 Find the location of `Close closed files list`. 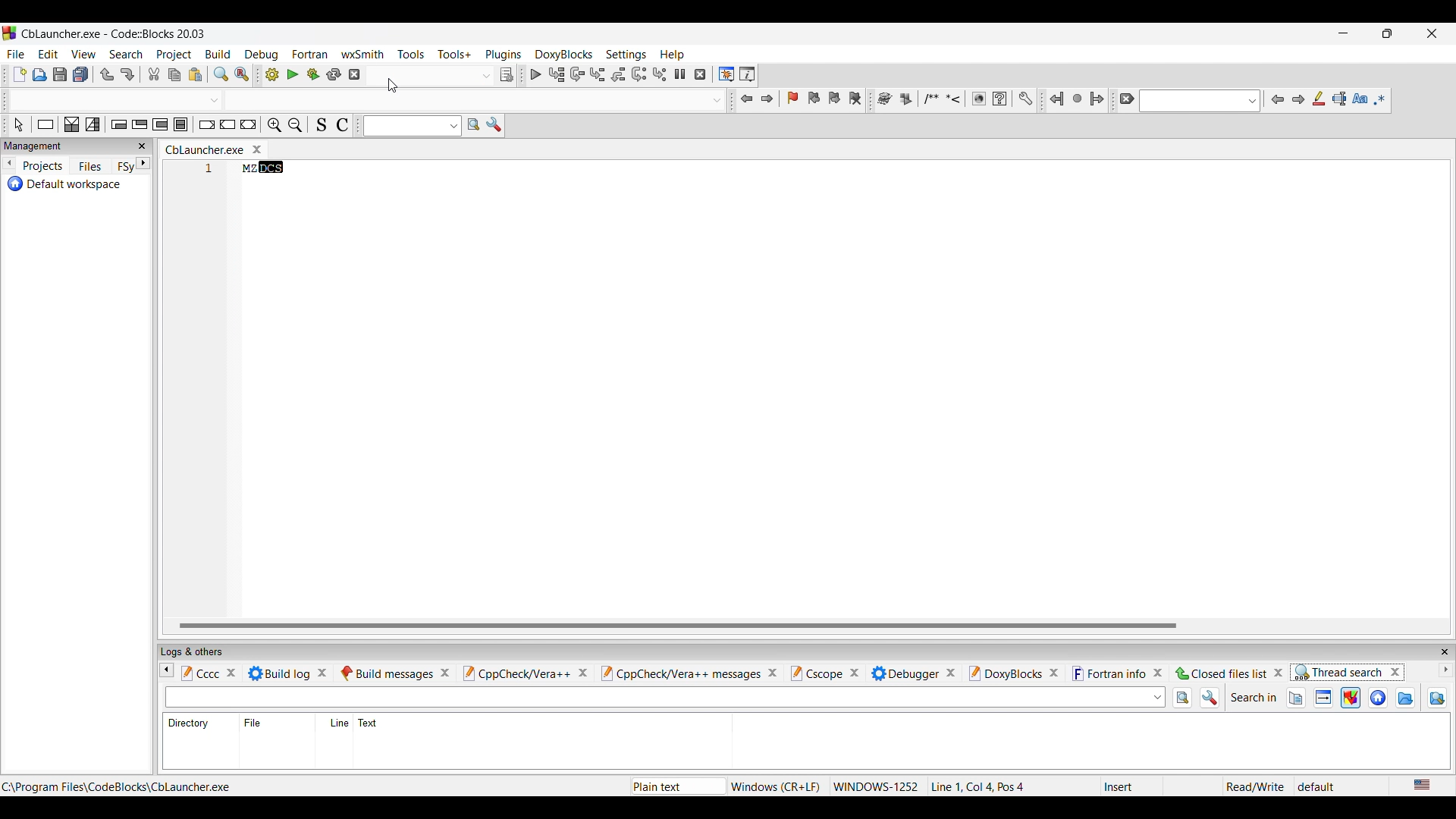

Close closed files list is located at coordinates (1279, 672).